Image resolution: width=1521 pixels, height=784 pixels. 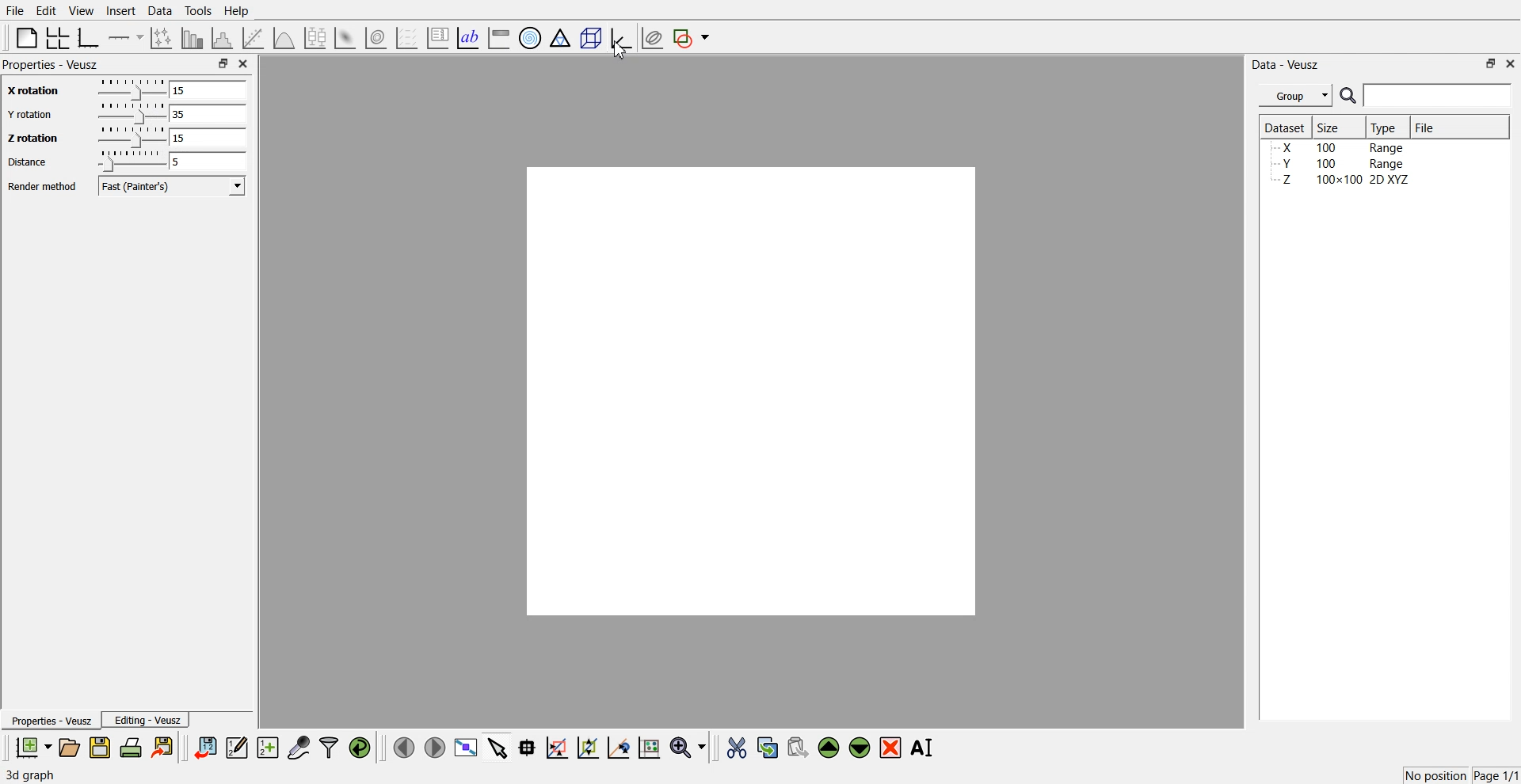 I want to click on Recenter graph axes, so click(x=619, y=747).